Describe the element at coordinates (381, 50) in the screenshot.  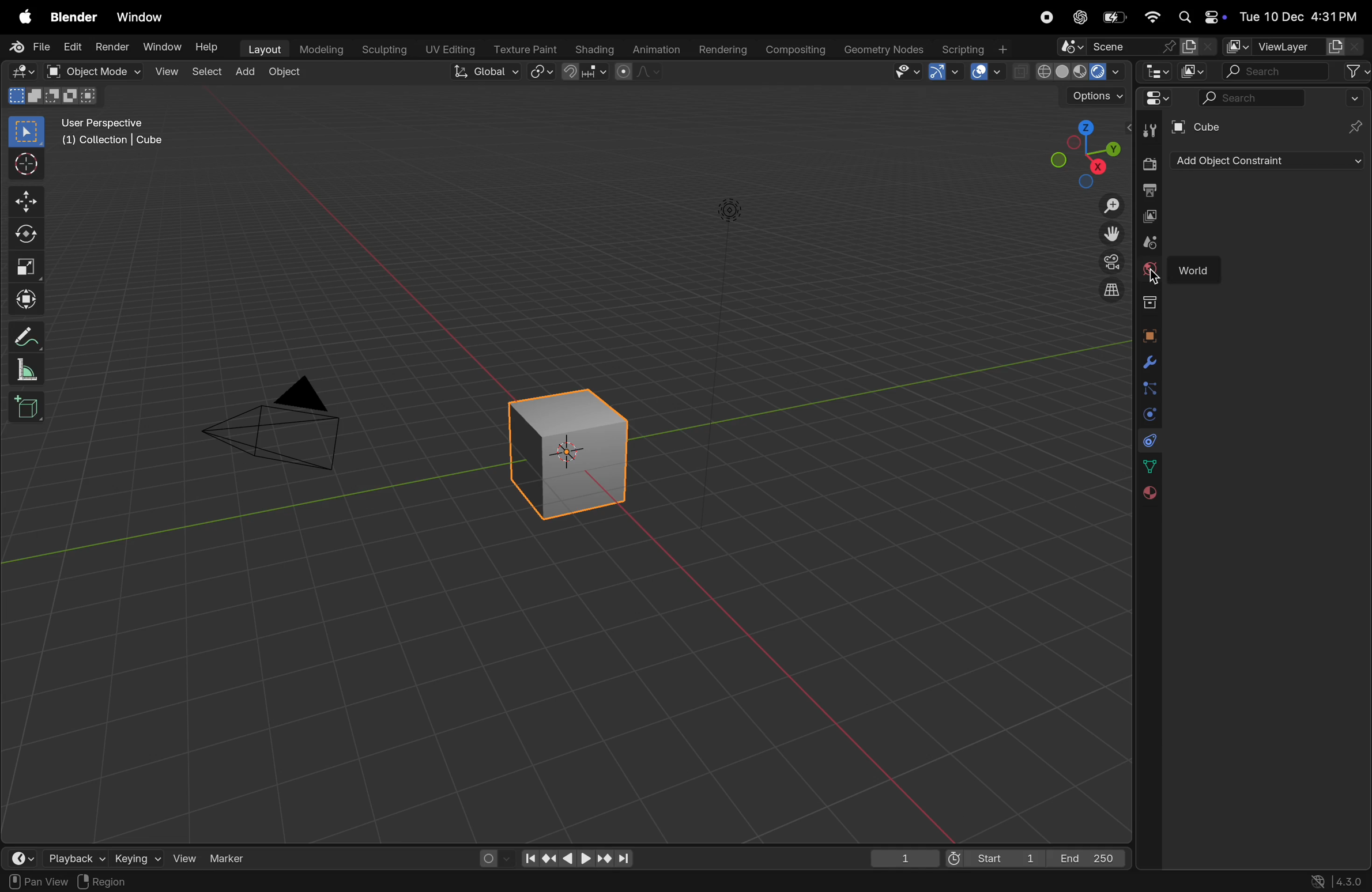
I see `Sculpting` at that location.